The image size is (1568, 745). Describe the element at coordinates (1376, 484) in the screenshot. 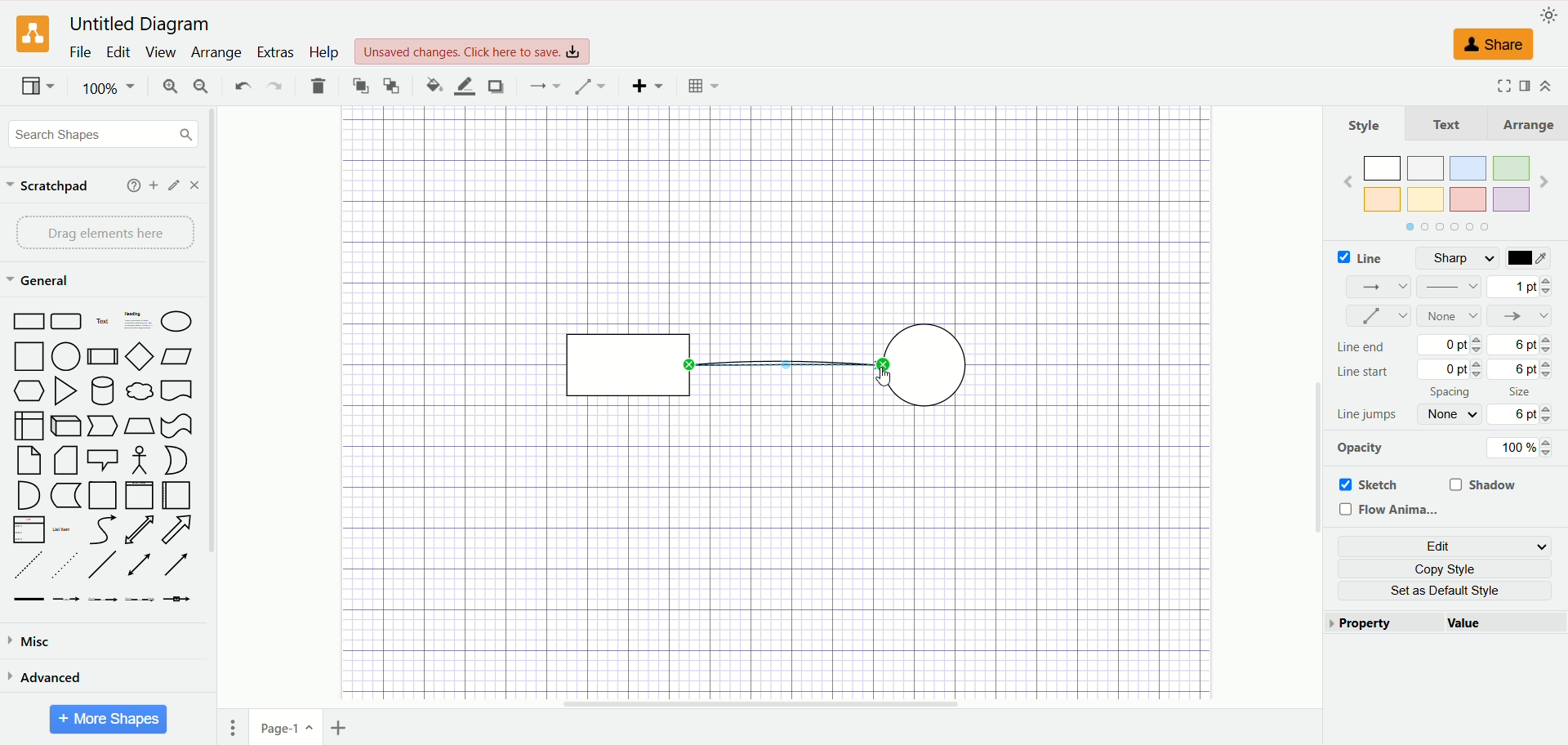

I see `sketch` at that location.